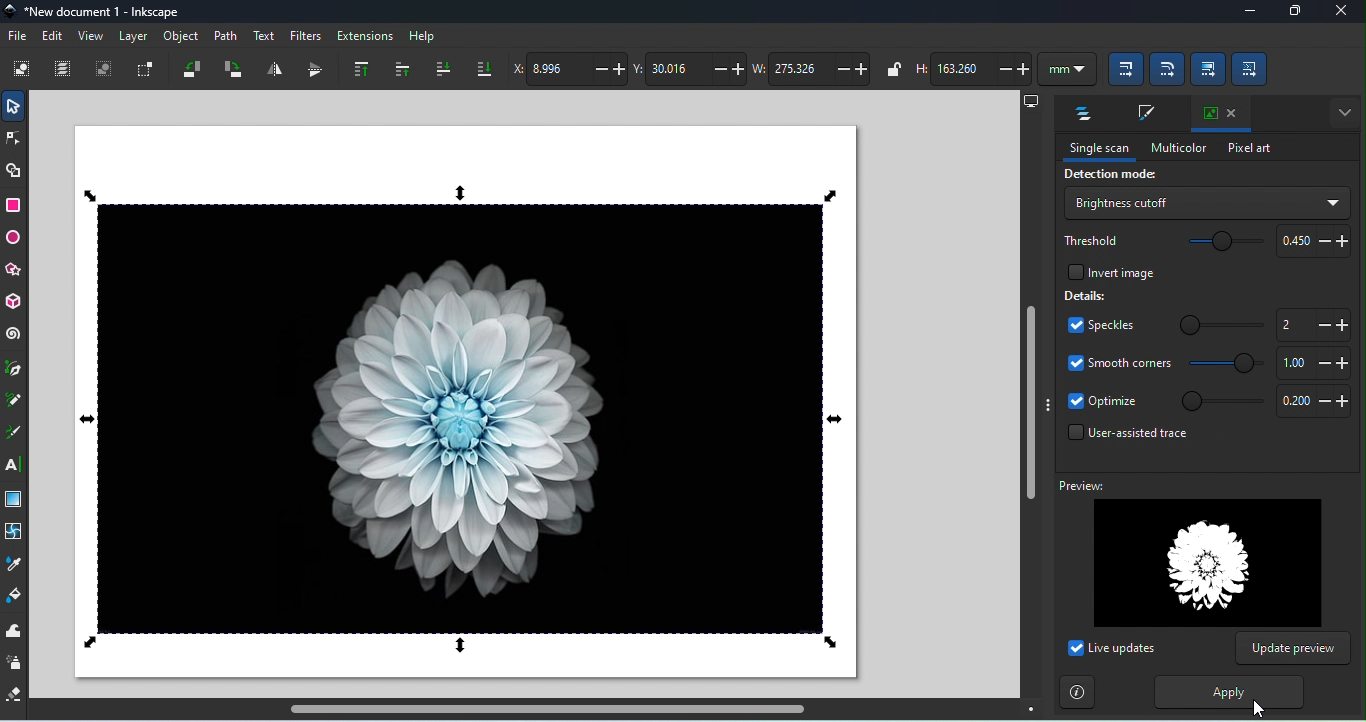 This screenshot has width=1366, height=722. I want to click on Pixel art, so click(1245, 149).